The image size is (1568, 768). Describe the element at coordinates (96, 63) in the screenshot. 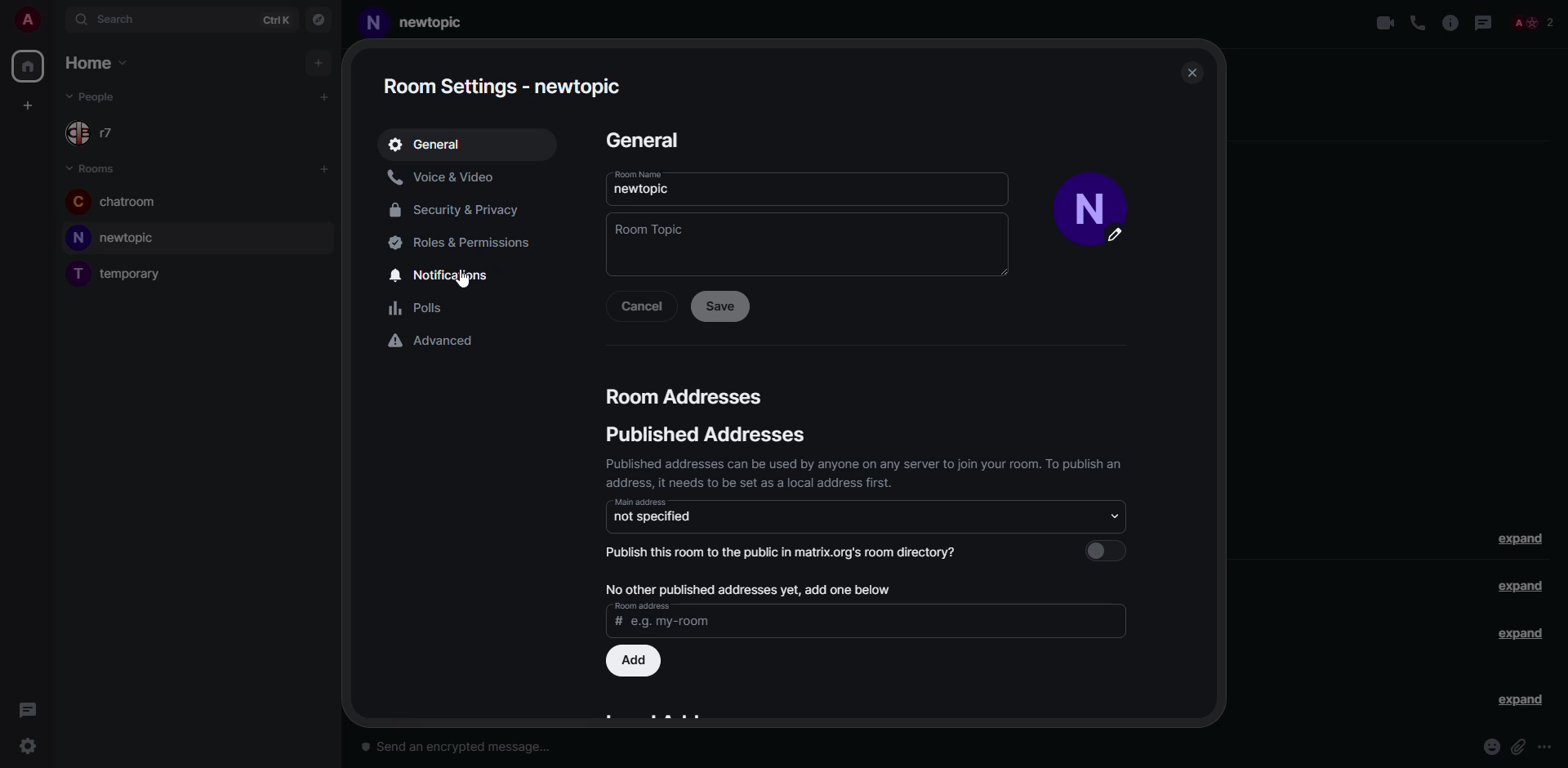

I see `home` at that location.